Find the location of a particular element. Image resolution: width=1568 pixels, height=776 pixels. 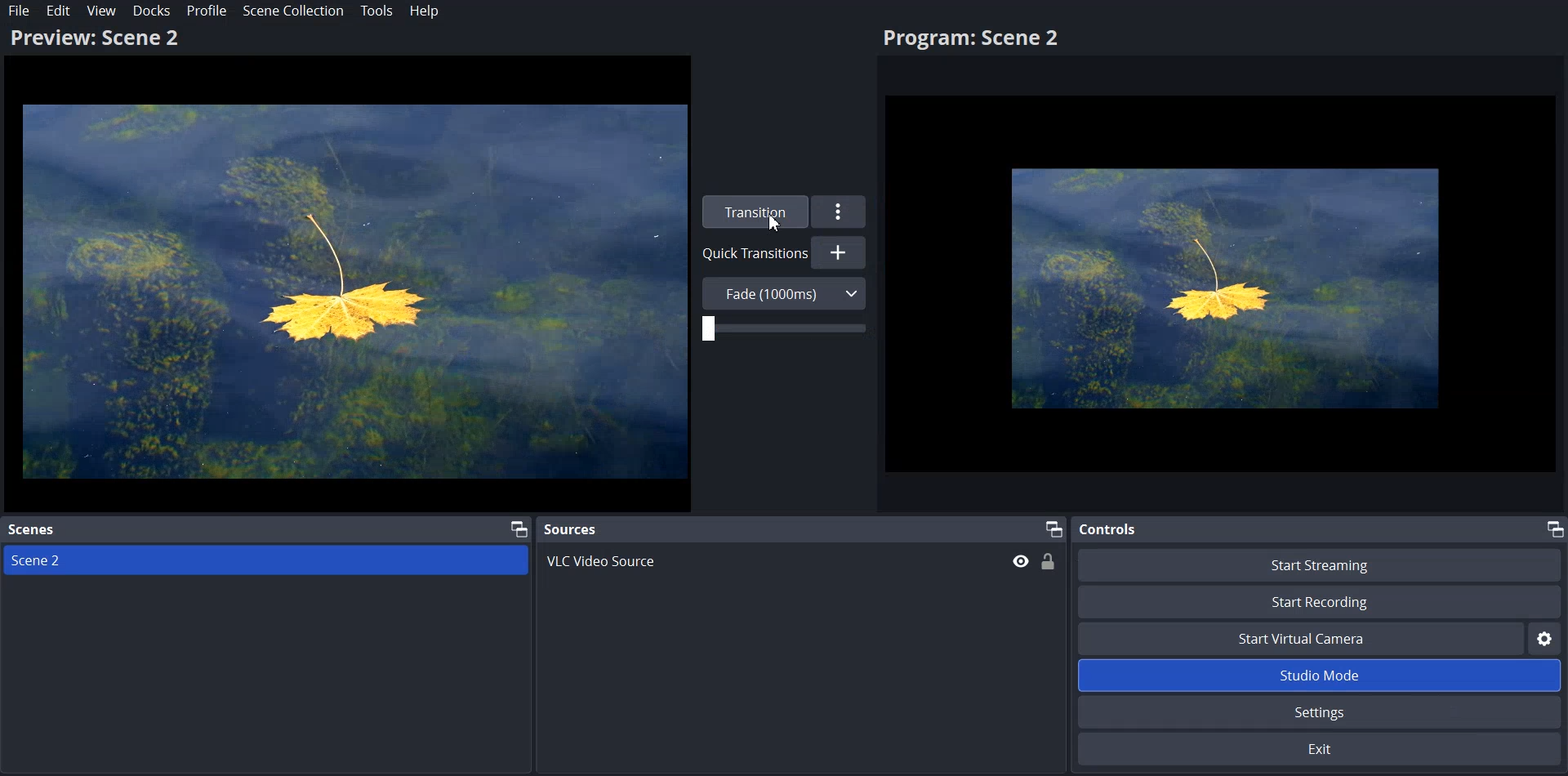

Tools is located at coordinates (376, 11).